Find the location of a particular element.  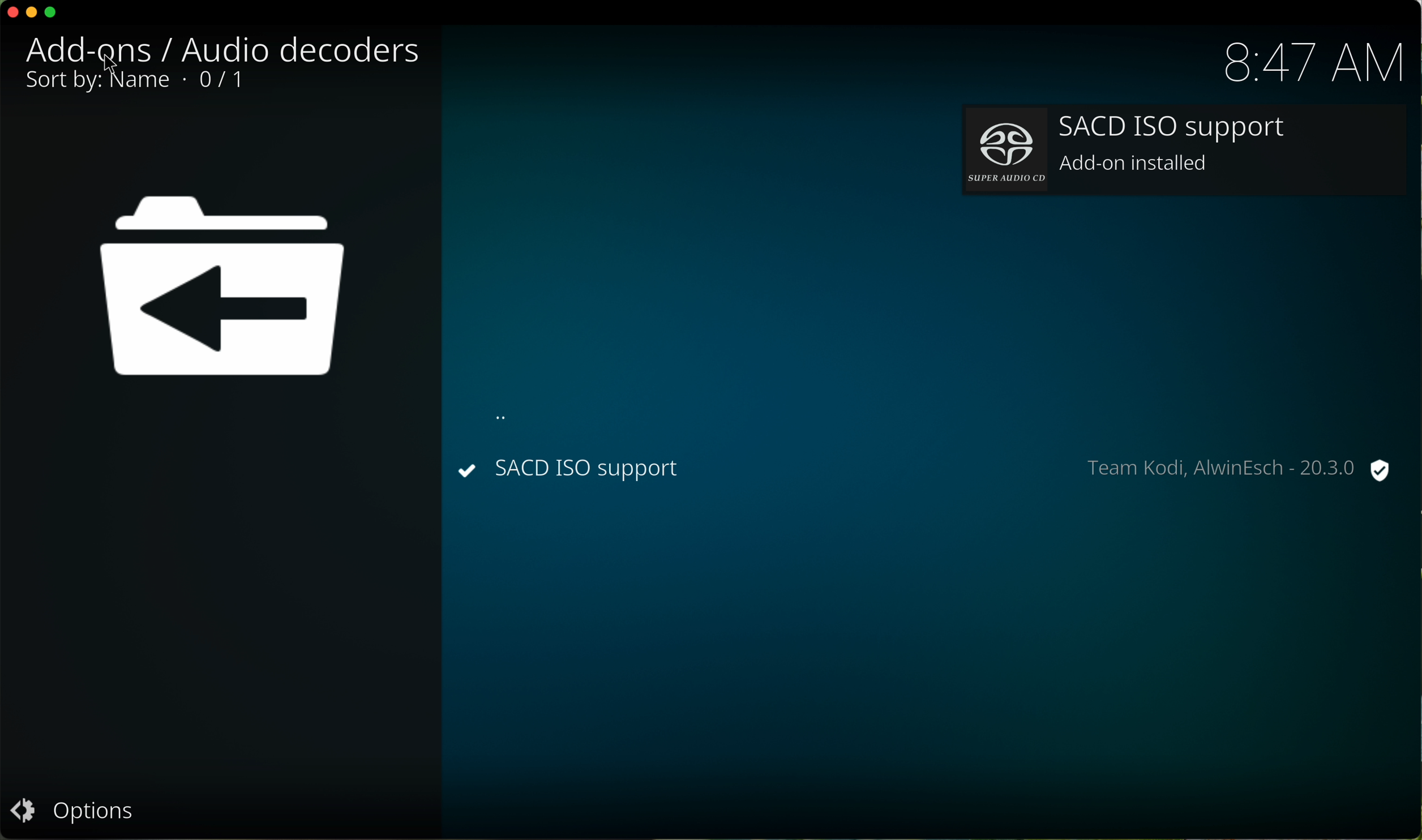

add-on installed is located at coordinates (1191, 149).